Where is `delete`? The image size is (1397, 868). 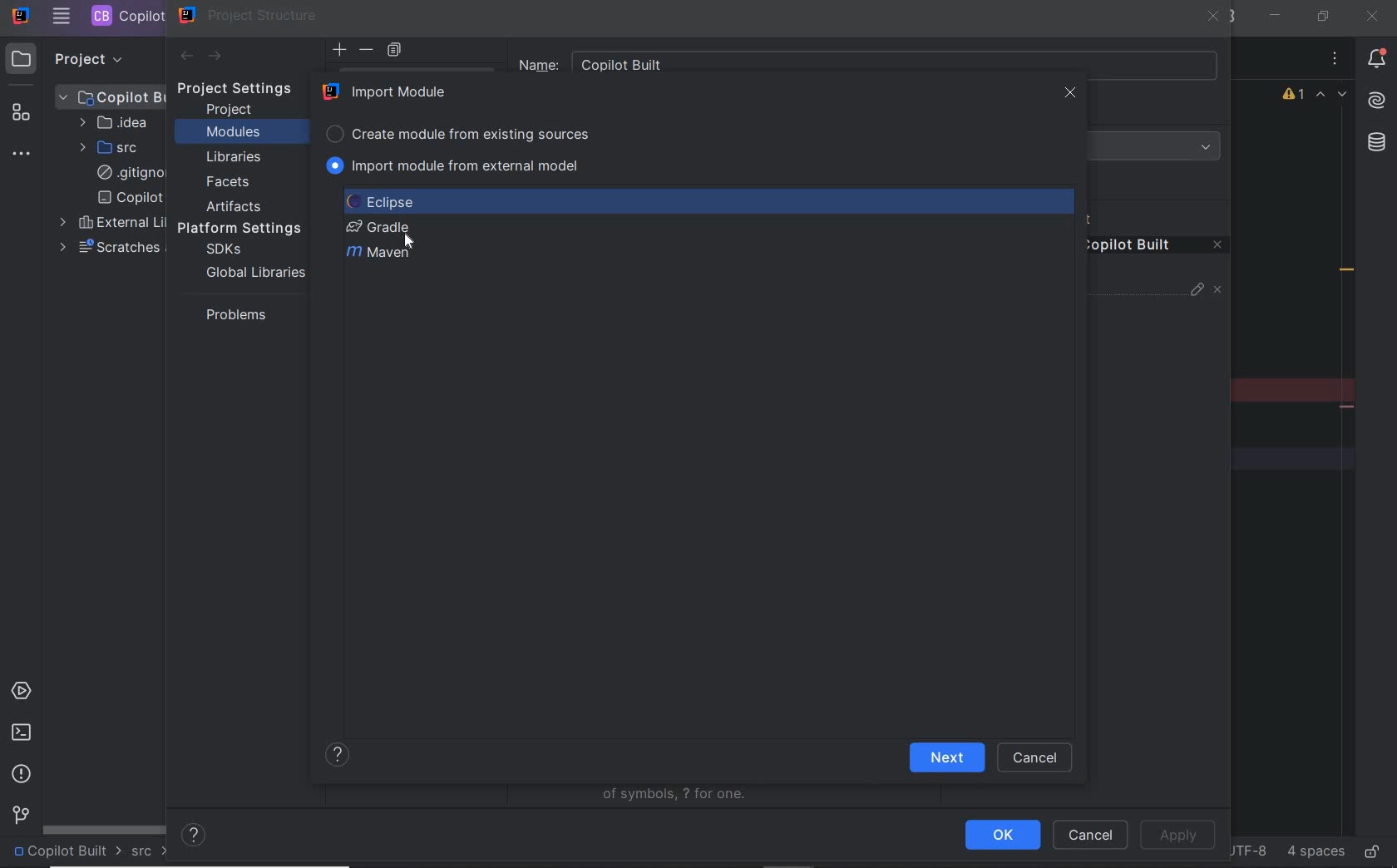
delete is located at coordinates (368, 50).